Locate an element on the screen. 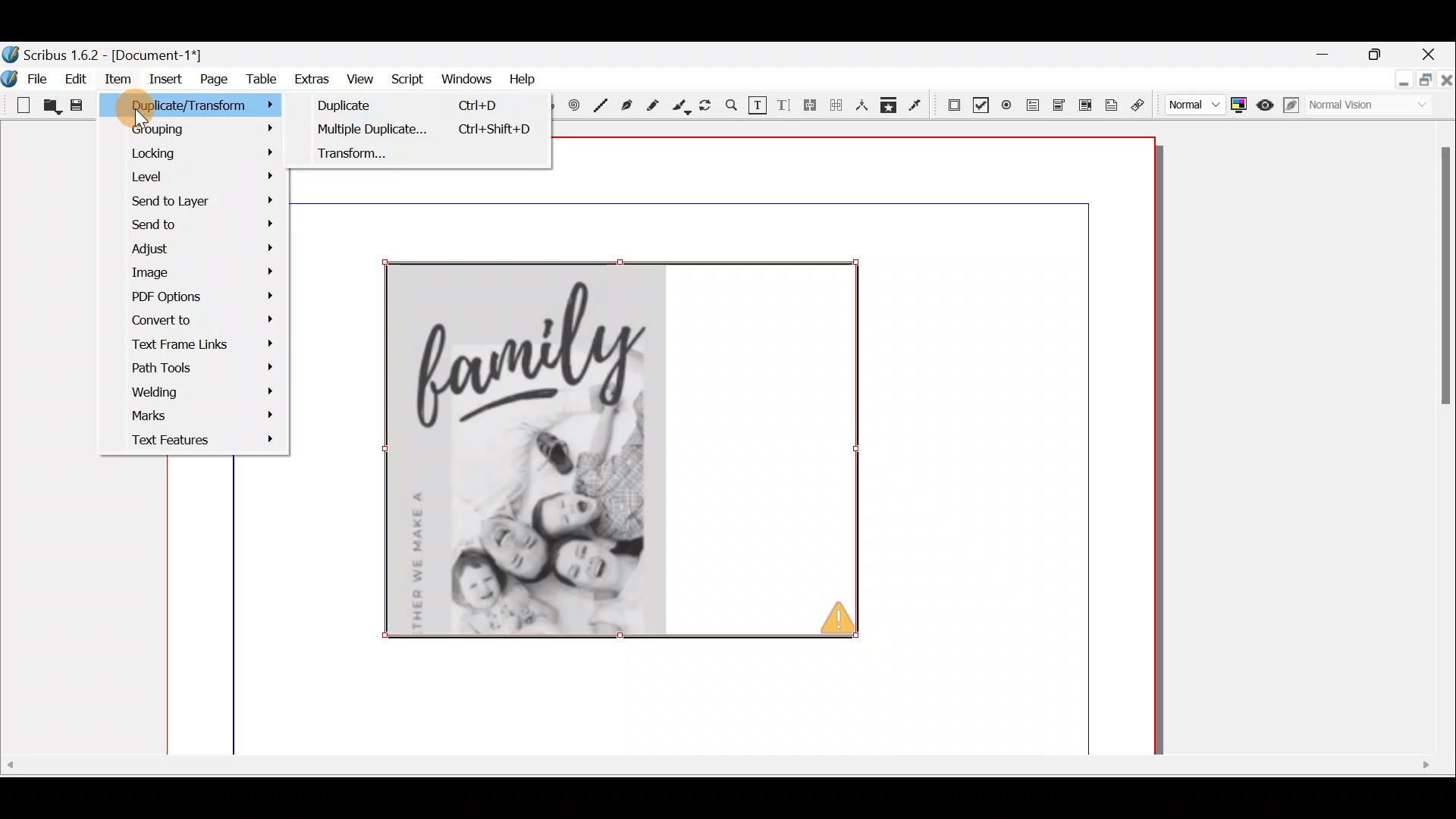  Send to is located at coordinates (199, 226).